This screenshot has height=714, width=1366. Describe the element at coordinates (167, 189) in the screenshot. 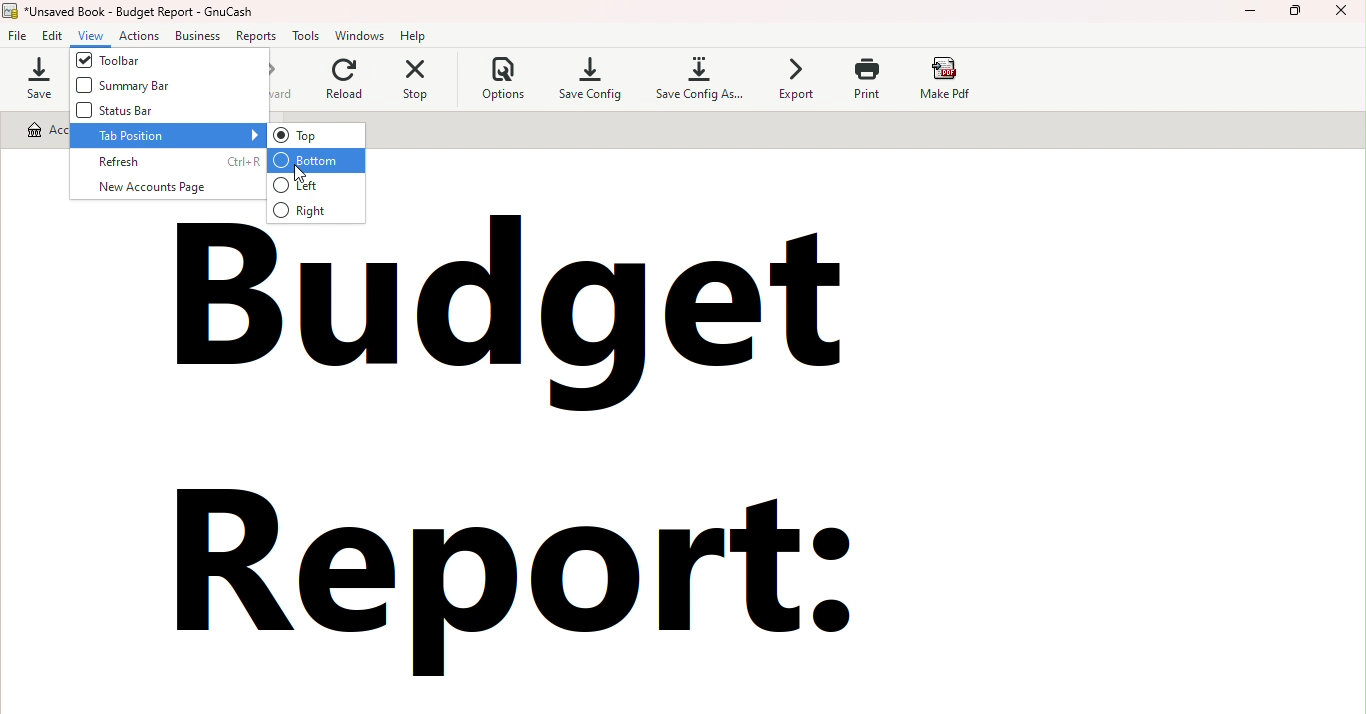

I see `New accounts page` at that location.